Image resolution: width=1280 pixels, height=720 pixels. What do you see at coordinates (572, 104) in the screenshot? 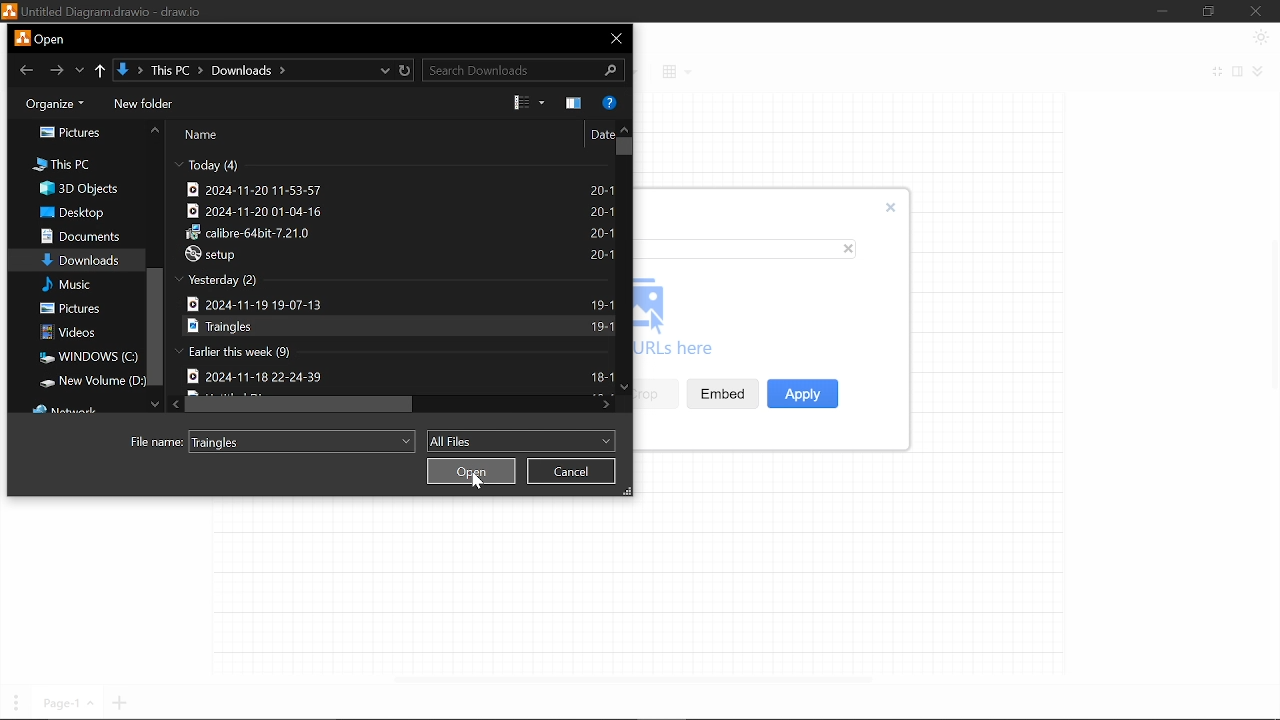
I see `Show the preview pane` at bounding box center [572, 104].